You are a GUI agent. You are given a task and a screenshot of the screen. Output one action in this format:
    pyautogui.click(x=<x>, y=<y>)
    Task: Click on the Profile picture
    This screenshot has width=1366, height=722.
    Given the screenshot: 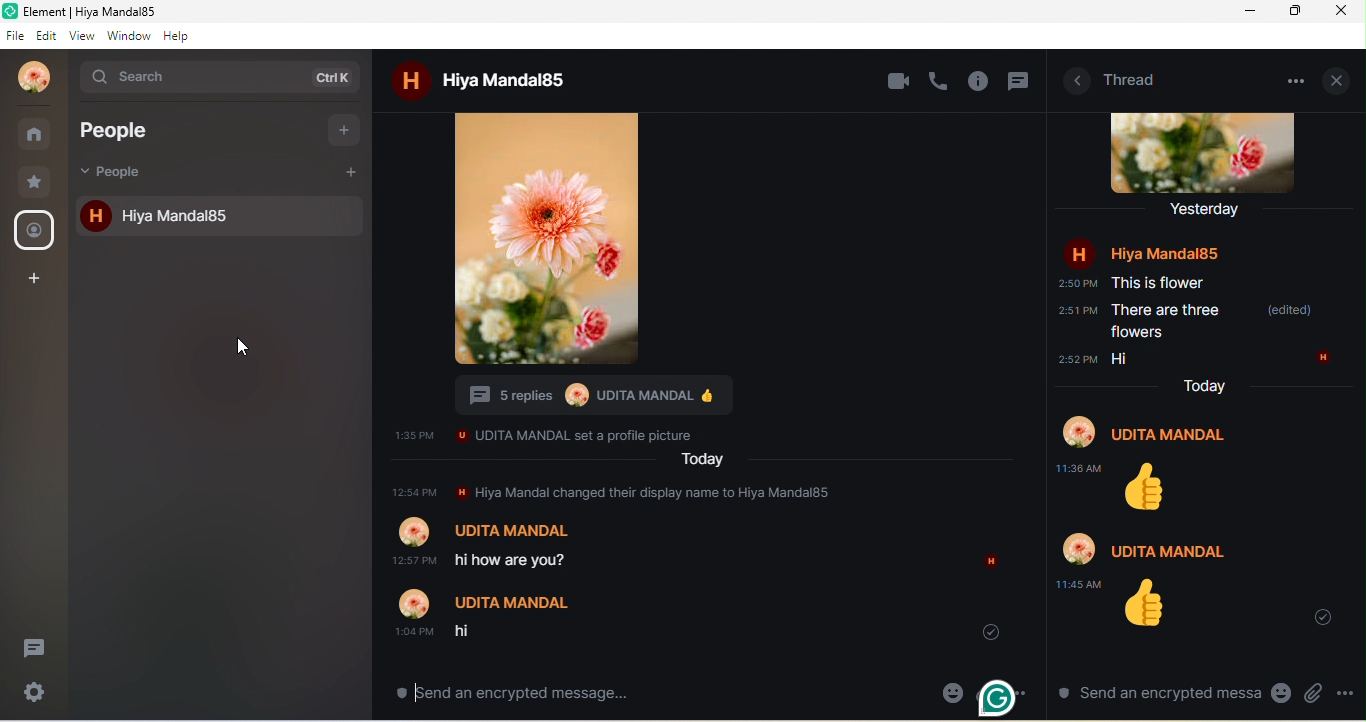 What is the action you would take?
    pyautogui.click(x=1078, y=547)
    